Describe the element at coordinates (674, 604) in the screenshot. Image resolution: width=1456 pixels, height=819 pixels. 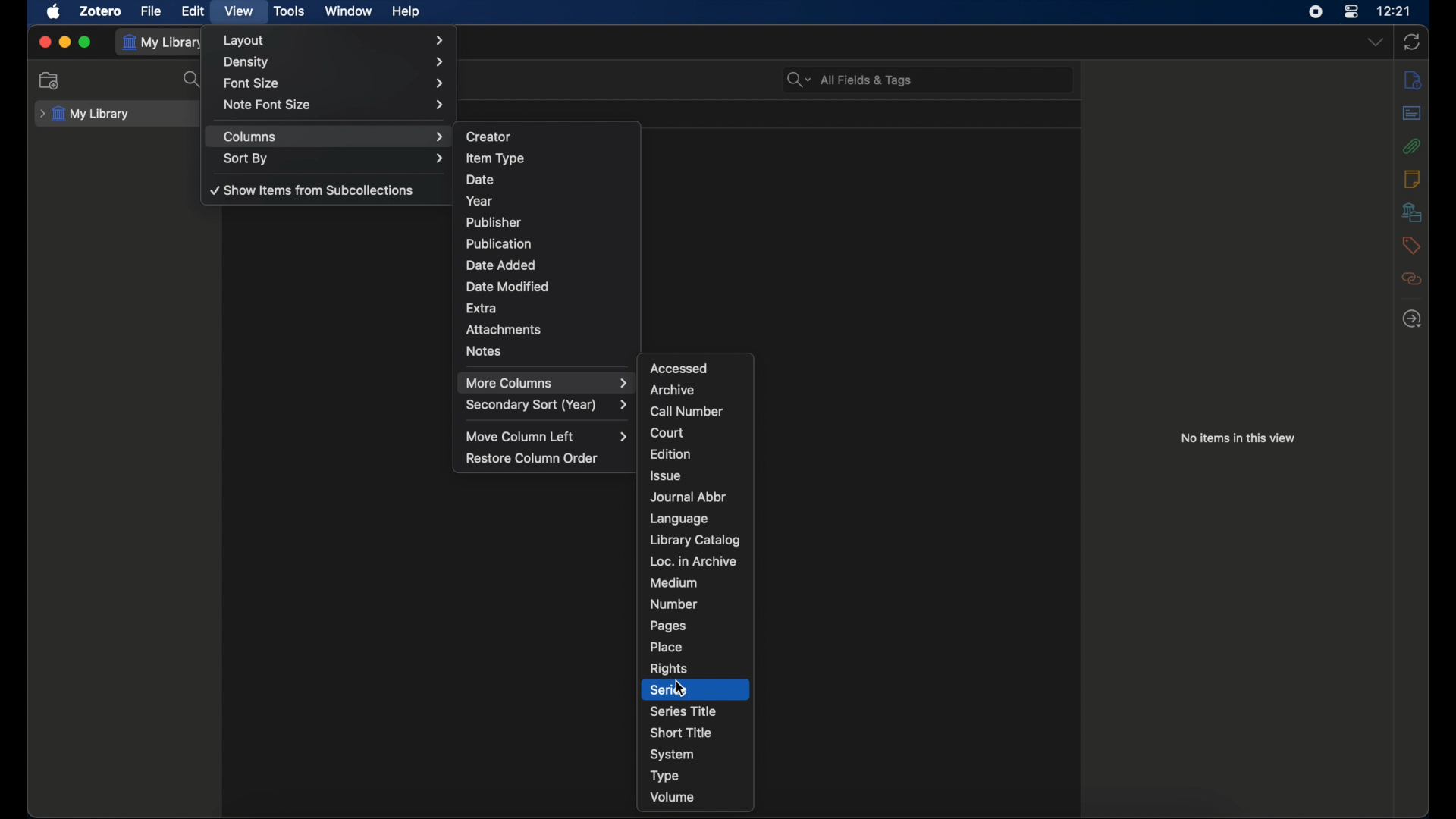
I see `number` at that location.